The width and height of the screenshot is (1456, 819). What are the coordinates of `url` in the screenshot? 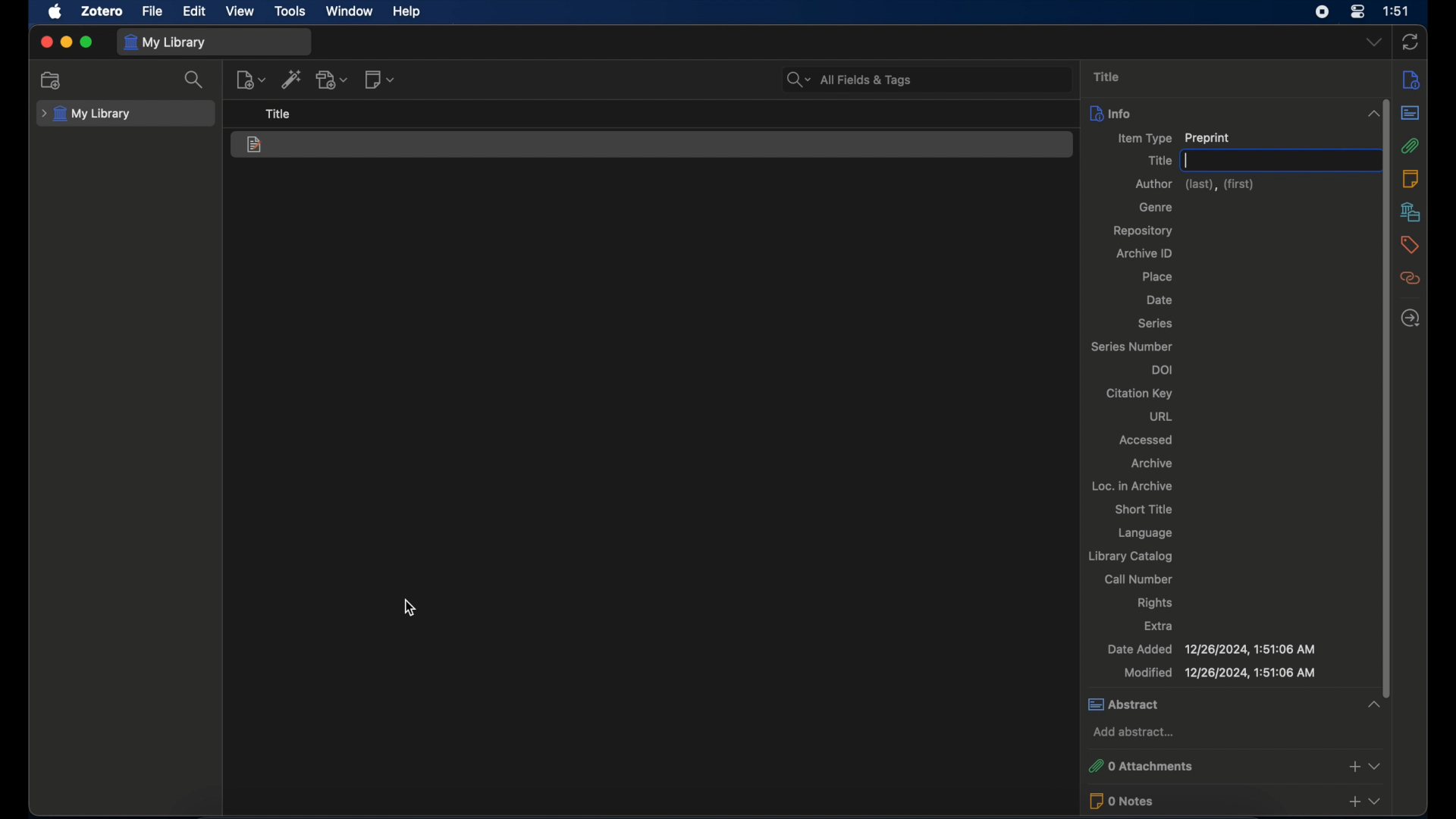 It's located at (1164, 417).